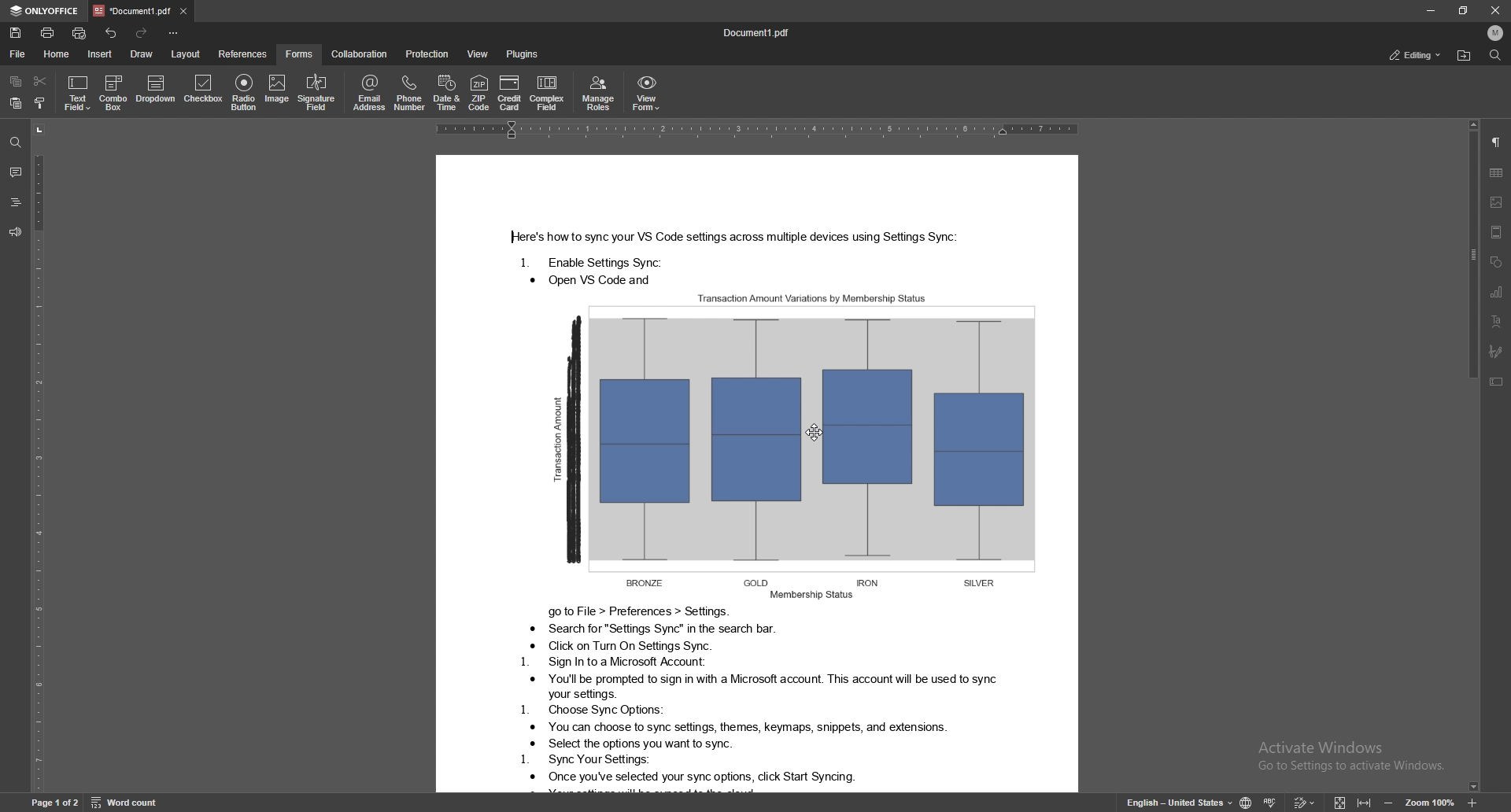  What do you see at coordinates (1432, 10) in the screenshot?
I see `minimize` at bounding box center [1432, 10].